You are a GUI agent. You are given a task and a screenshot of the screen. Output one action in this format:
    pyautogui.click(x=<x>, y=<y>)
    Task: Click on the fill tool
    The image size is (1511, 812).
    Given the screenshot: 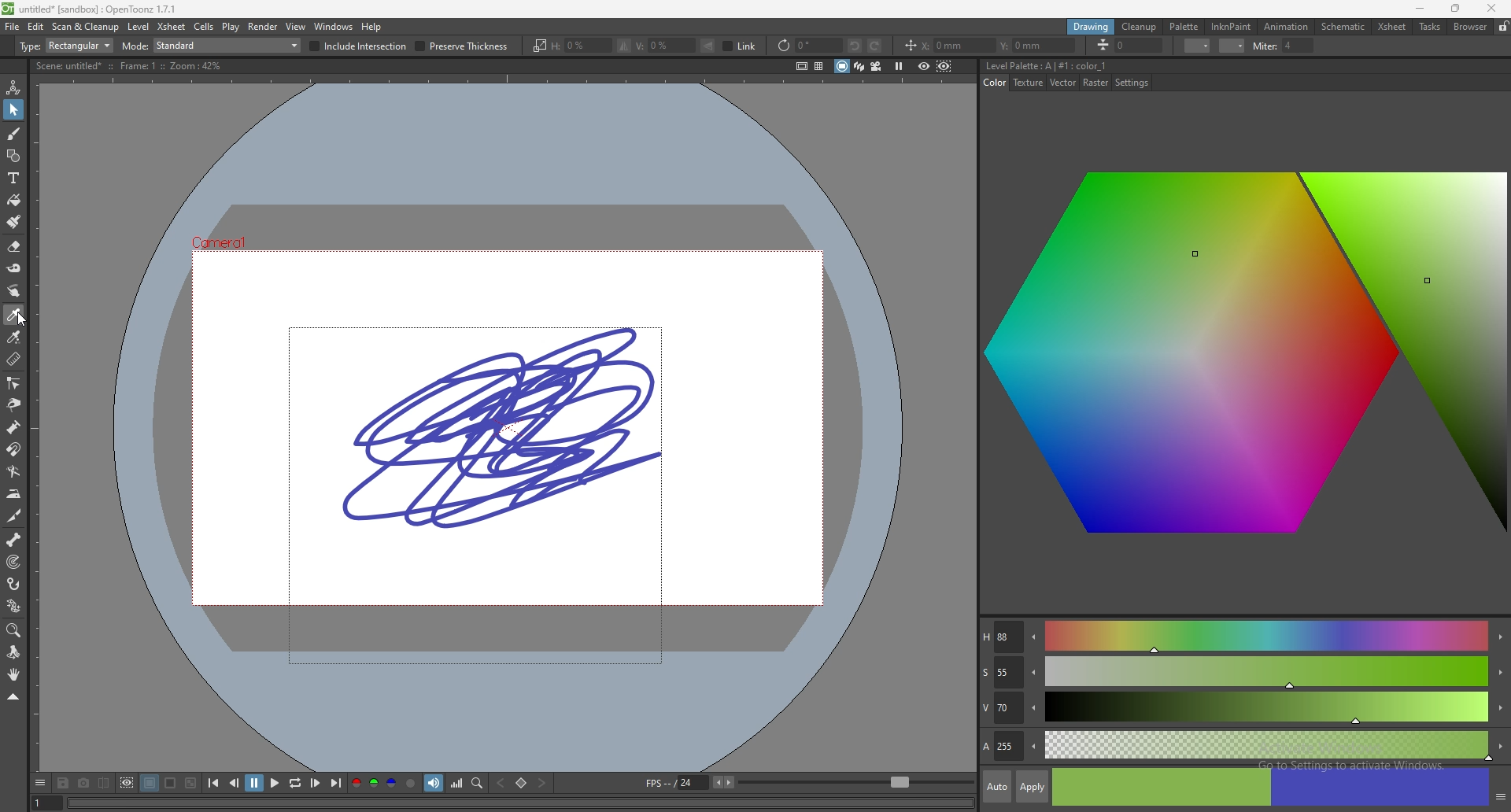 What is the action you would take?
    pyautogui.click(x=14, y=200)
    